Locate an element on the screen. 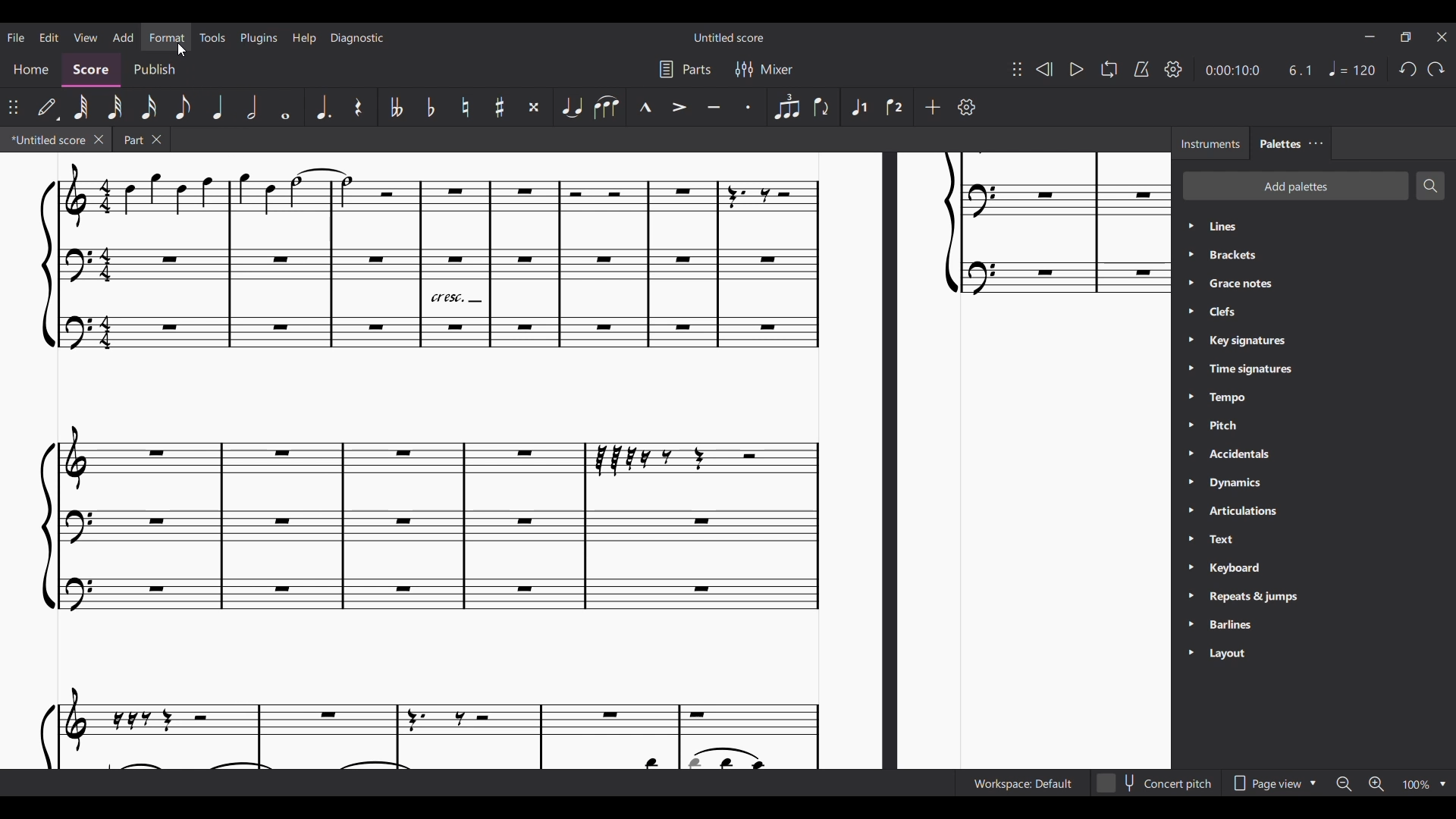  Mixer settings is located at coordinates (764, 68).